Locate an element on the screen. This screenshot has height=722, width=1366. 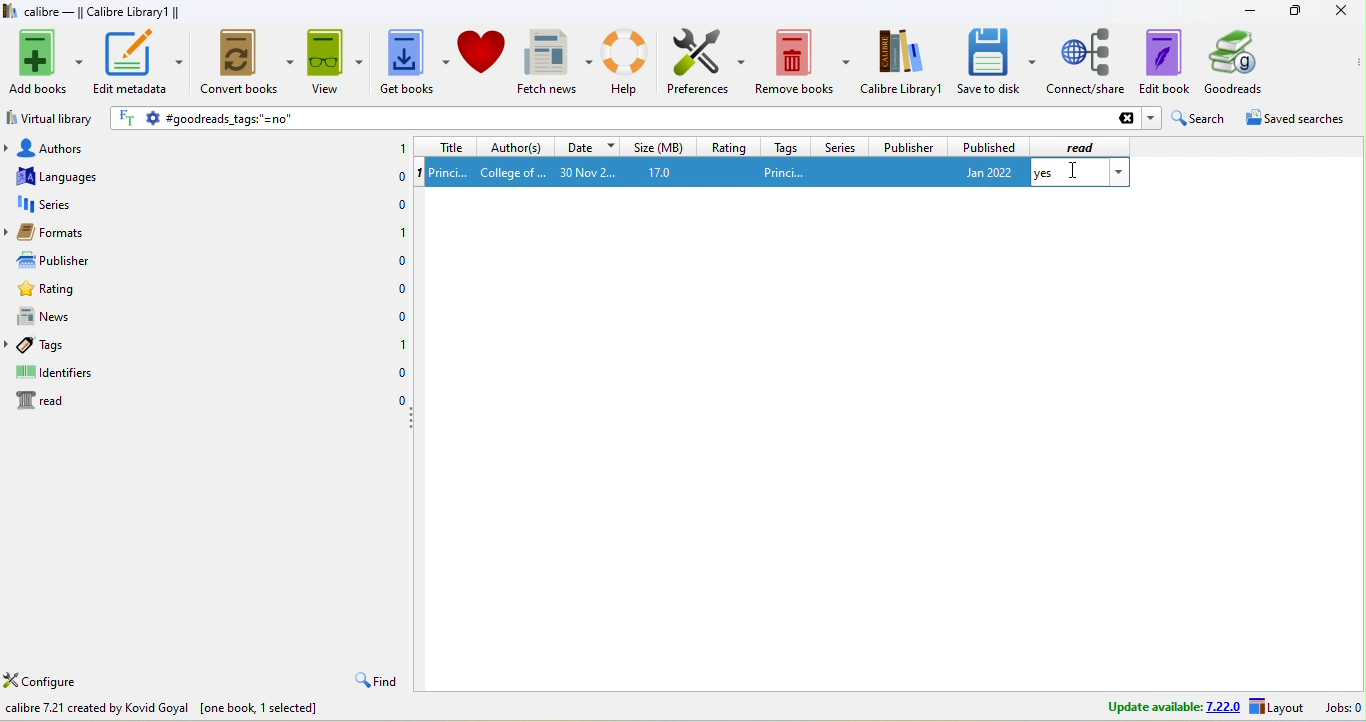
jan 2022 is located at coordinates (984, 173).